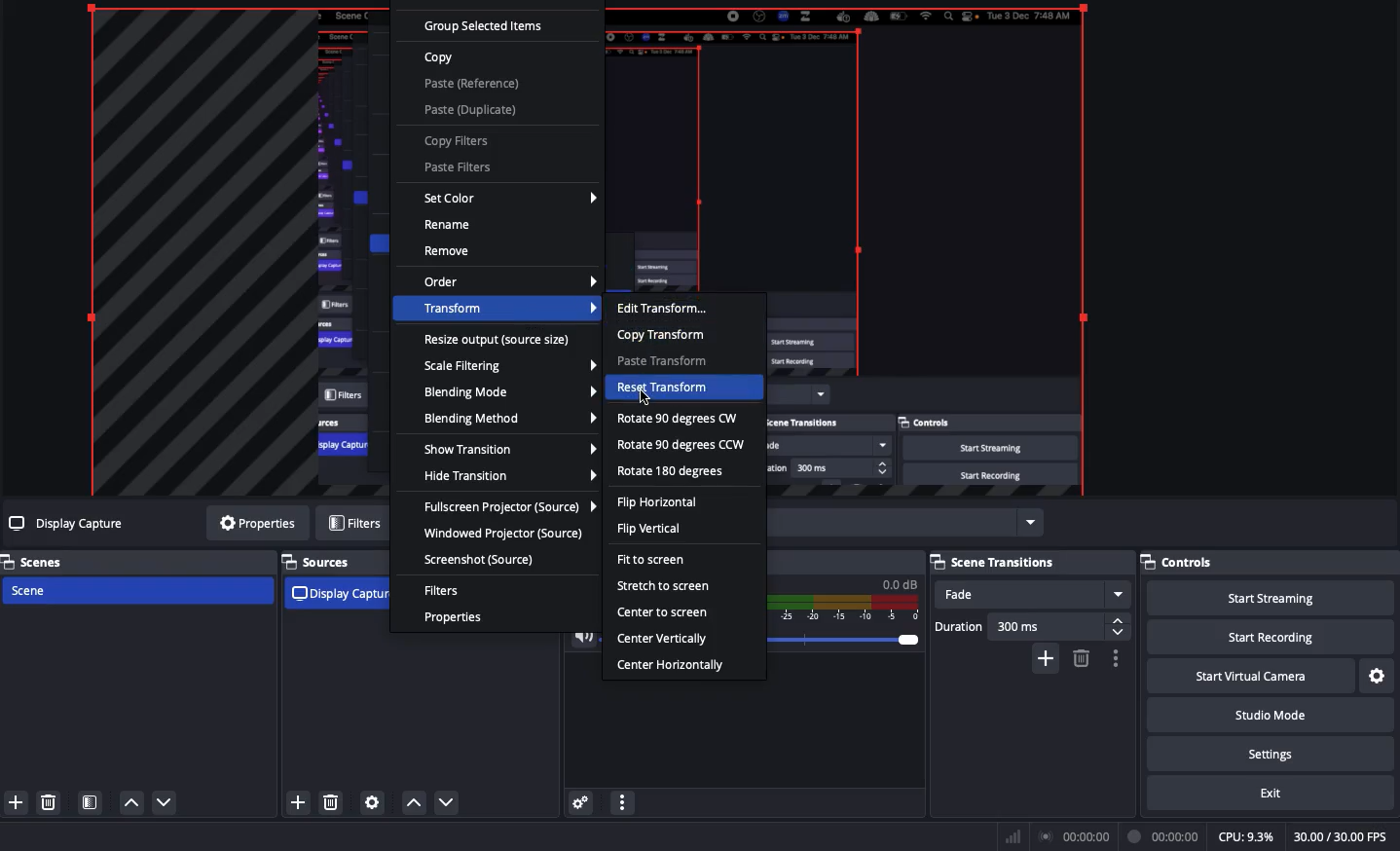 This screenshot has height=851, width=1400. What do you see at coordinates (514, 282) in the screenshot?
I see `Order` at bounding box center [514, 282].